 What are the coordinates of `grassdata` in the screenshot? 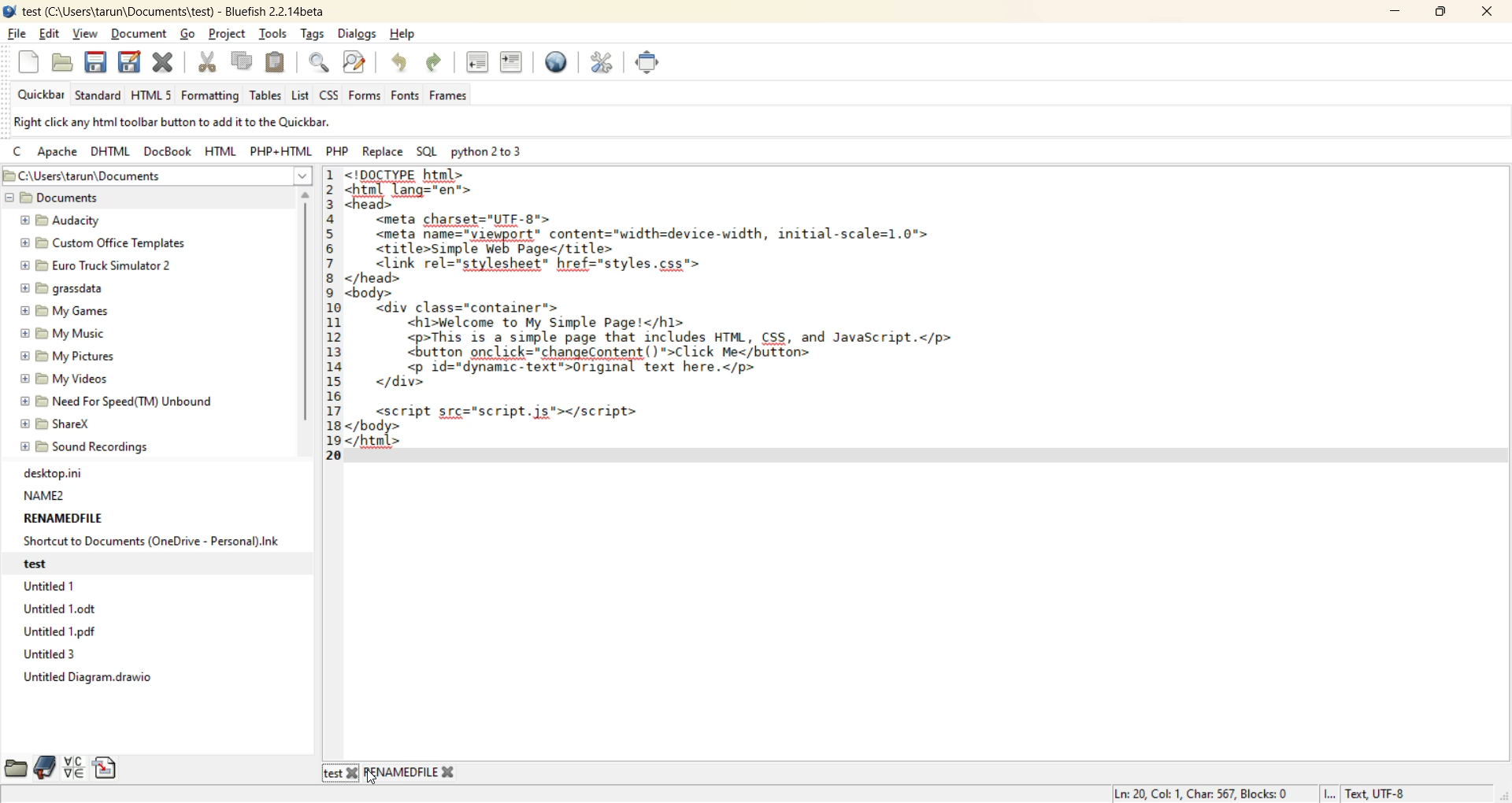 It's located at (65, 290).